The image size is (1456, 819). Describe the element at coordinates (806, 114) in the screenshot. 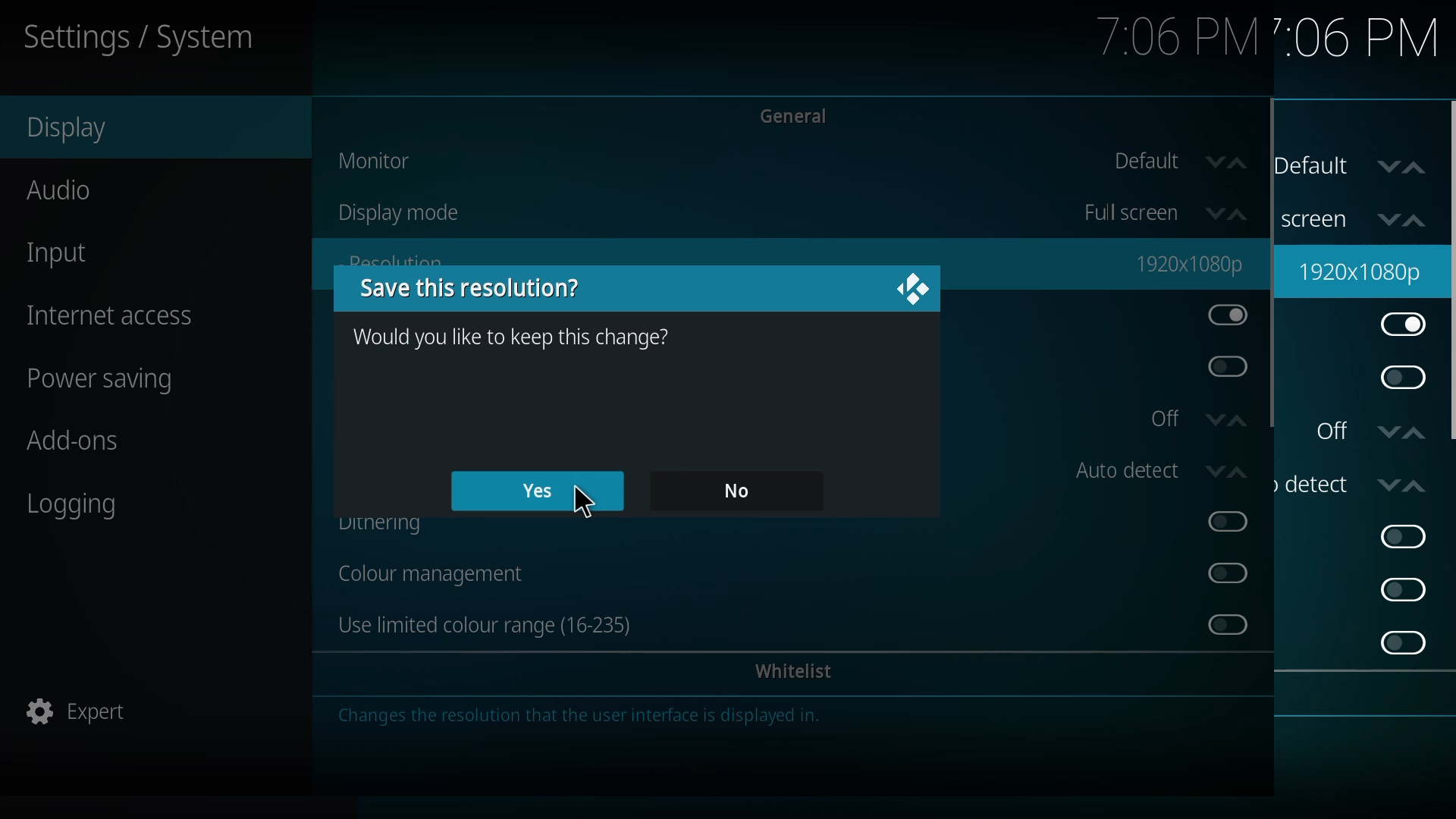

I see `general` at that location.